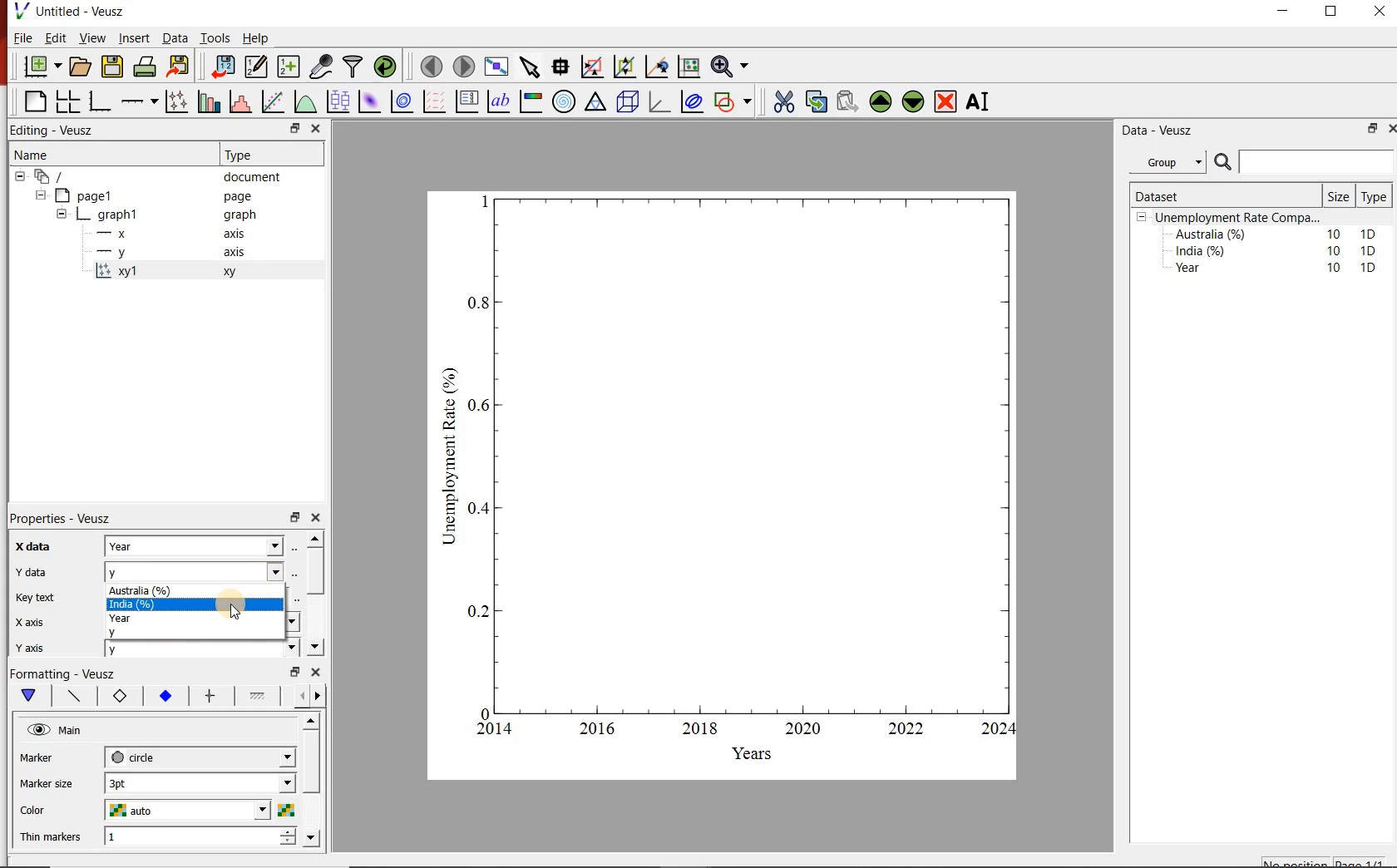  What do you see at coordinates (338, 101) in the screenshot?
I see `plot box plots` at bounding box center [338, 101].